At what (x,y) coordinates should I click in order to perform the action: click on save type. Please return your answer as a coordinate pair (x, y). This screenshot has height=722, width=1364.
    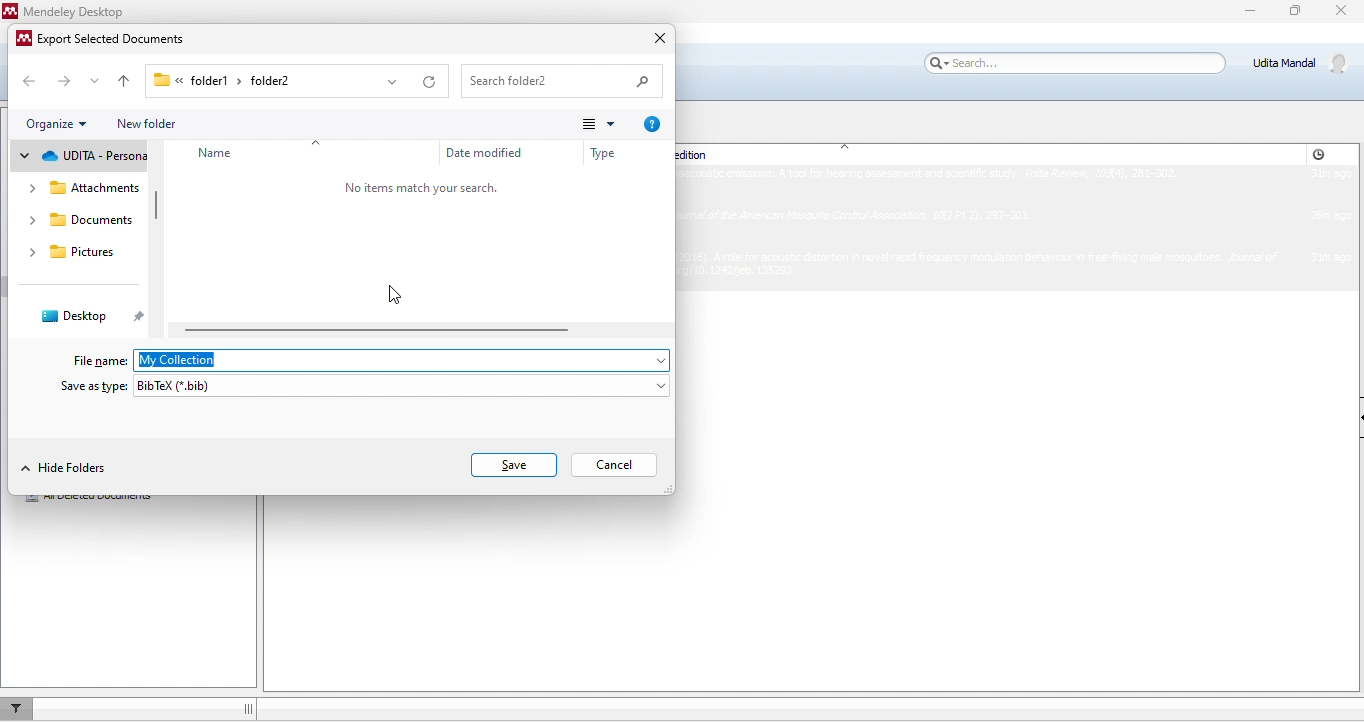
    Looking at the image, I should click on (403, 388).